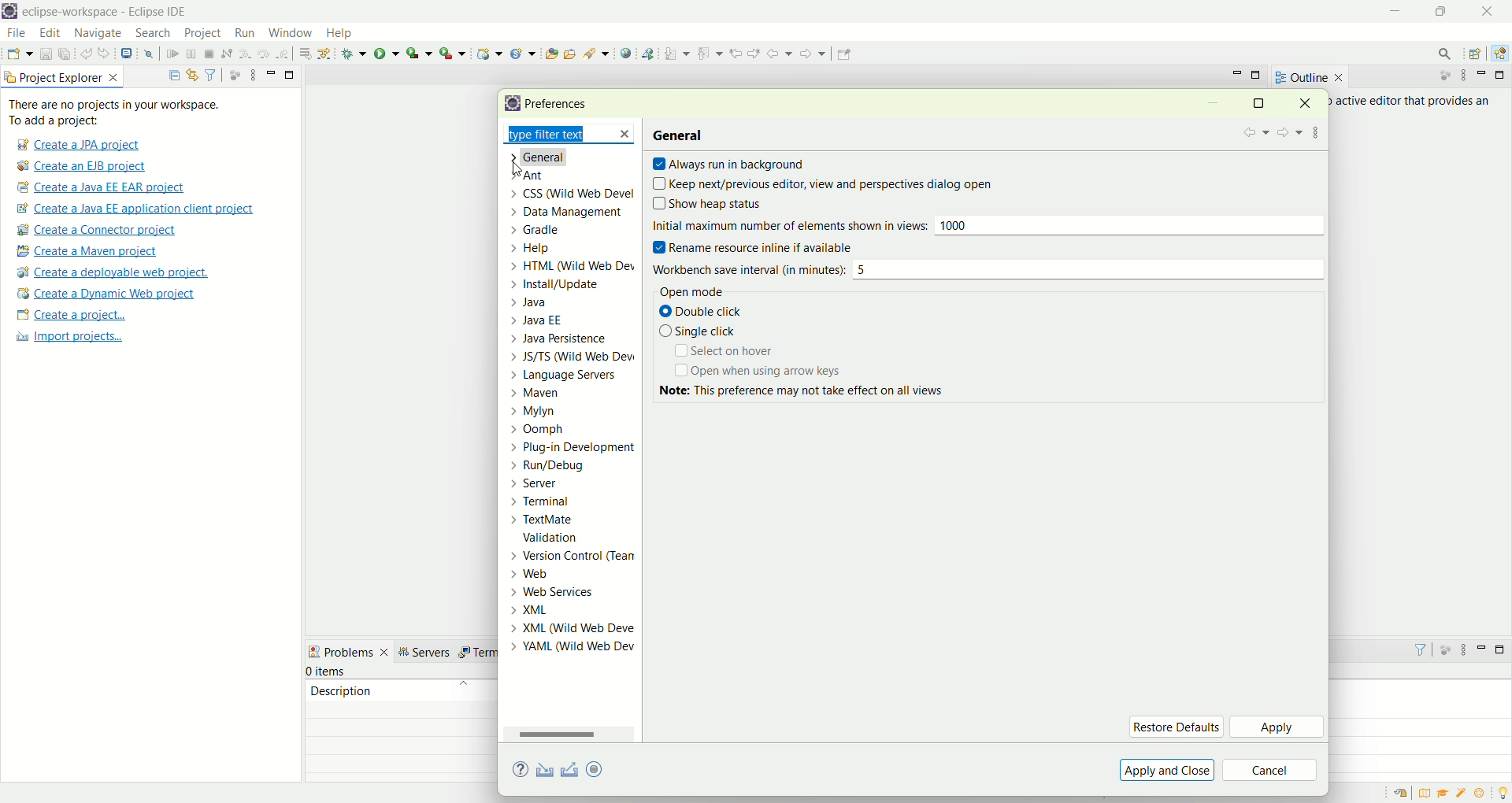 This screenshot has width=1512, height=803. What do you see at coordinates (107, 54) in the screenshot?
I see `redo` at bounding box center [107, 54].